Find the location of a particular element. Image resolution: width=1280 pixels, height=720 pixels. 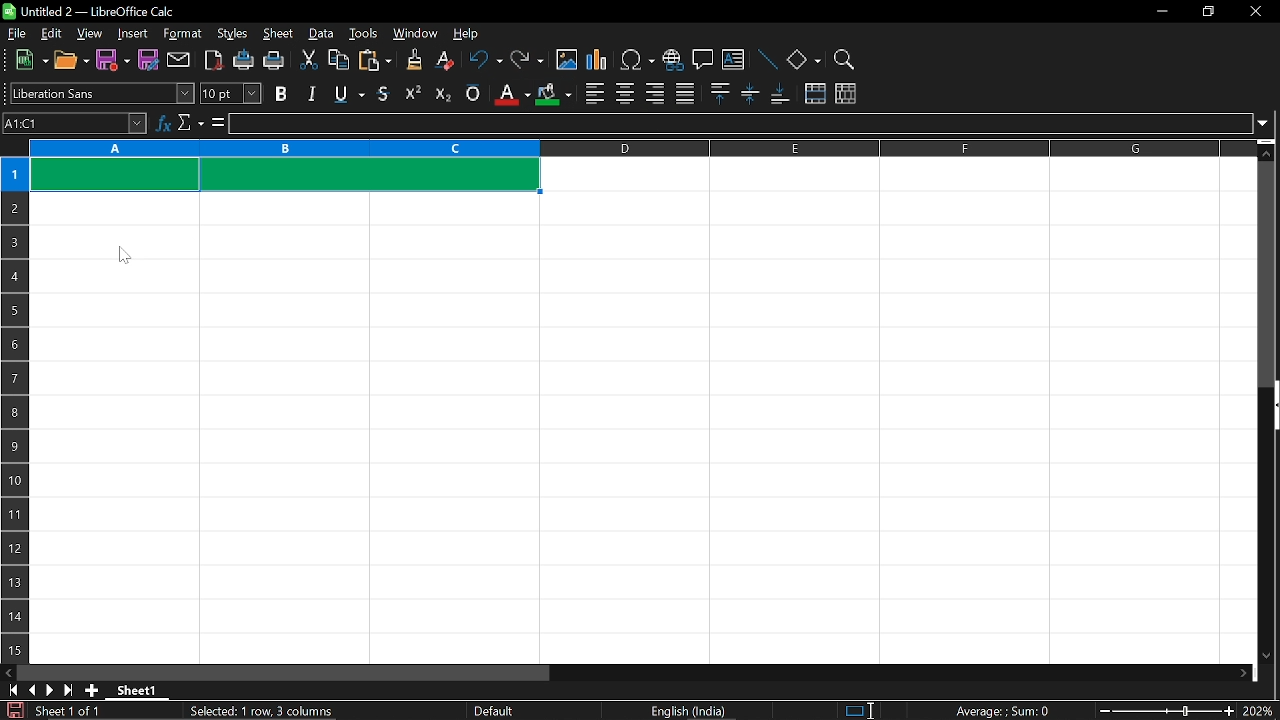

basic shapes is located at coordinates (804, 59).